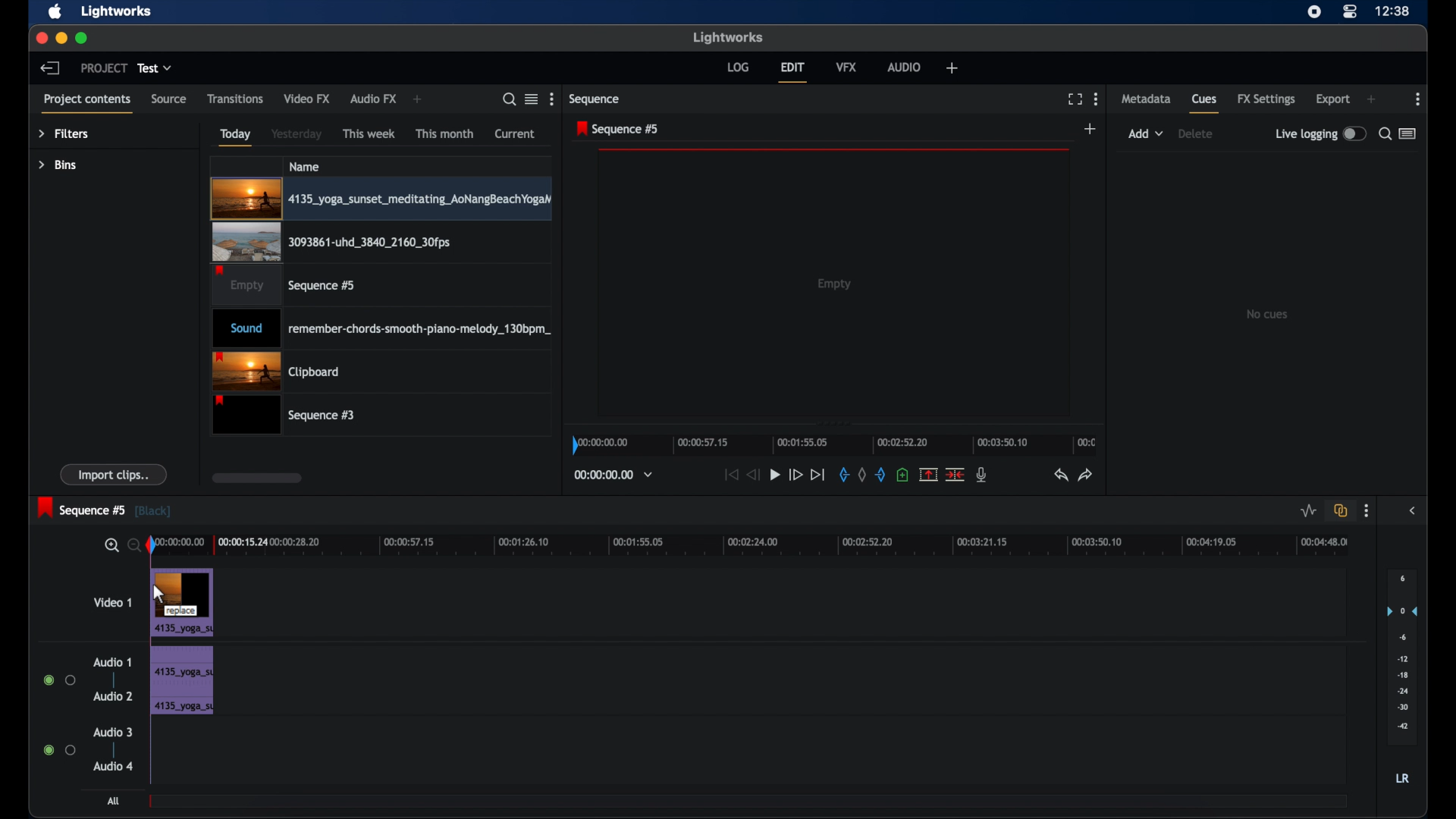 The width and height of the screenshot is (1456, 819). Describe the element at coordinates (1086, 475) in the screenshot. I see `redo` at that location.